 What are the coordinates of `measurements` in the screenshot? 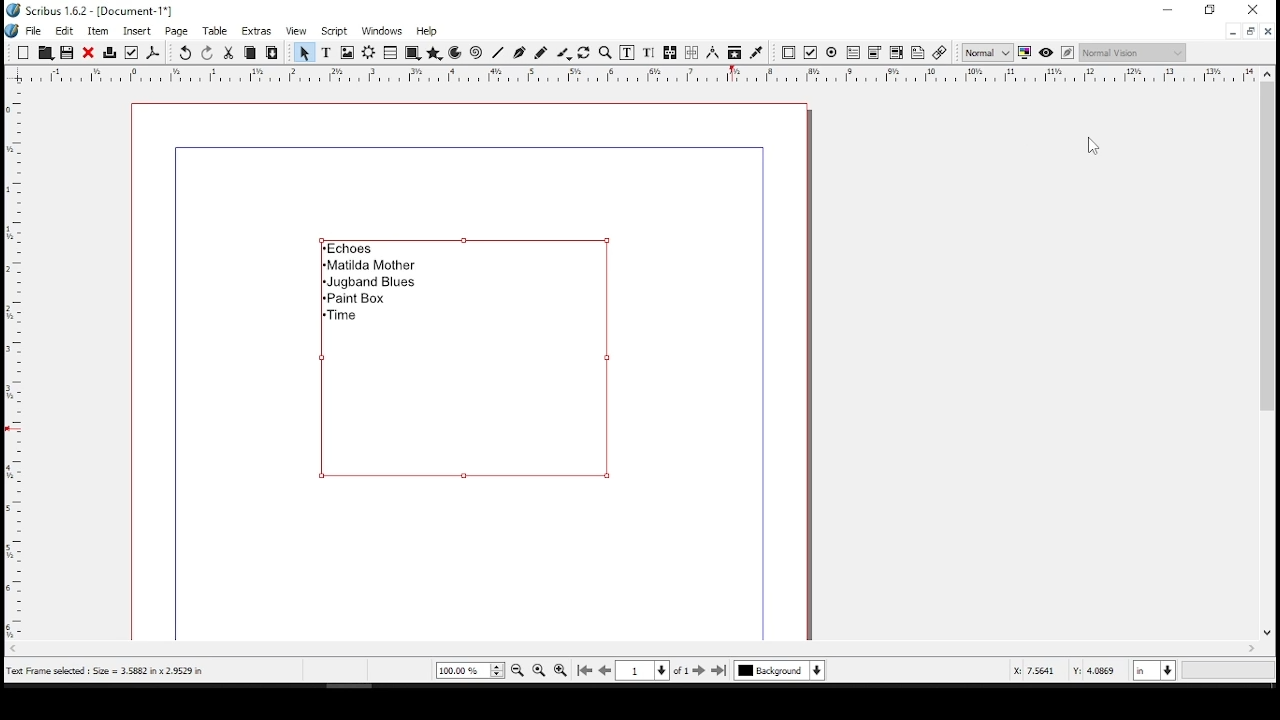 It's located at (712, 53).